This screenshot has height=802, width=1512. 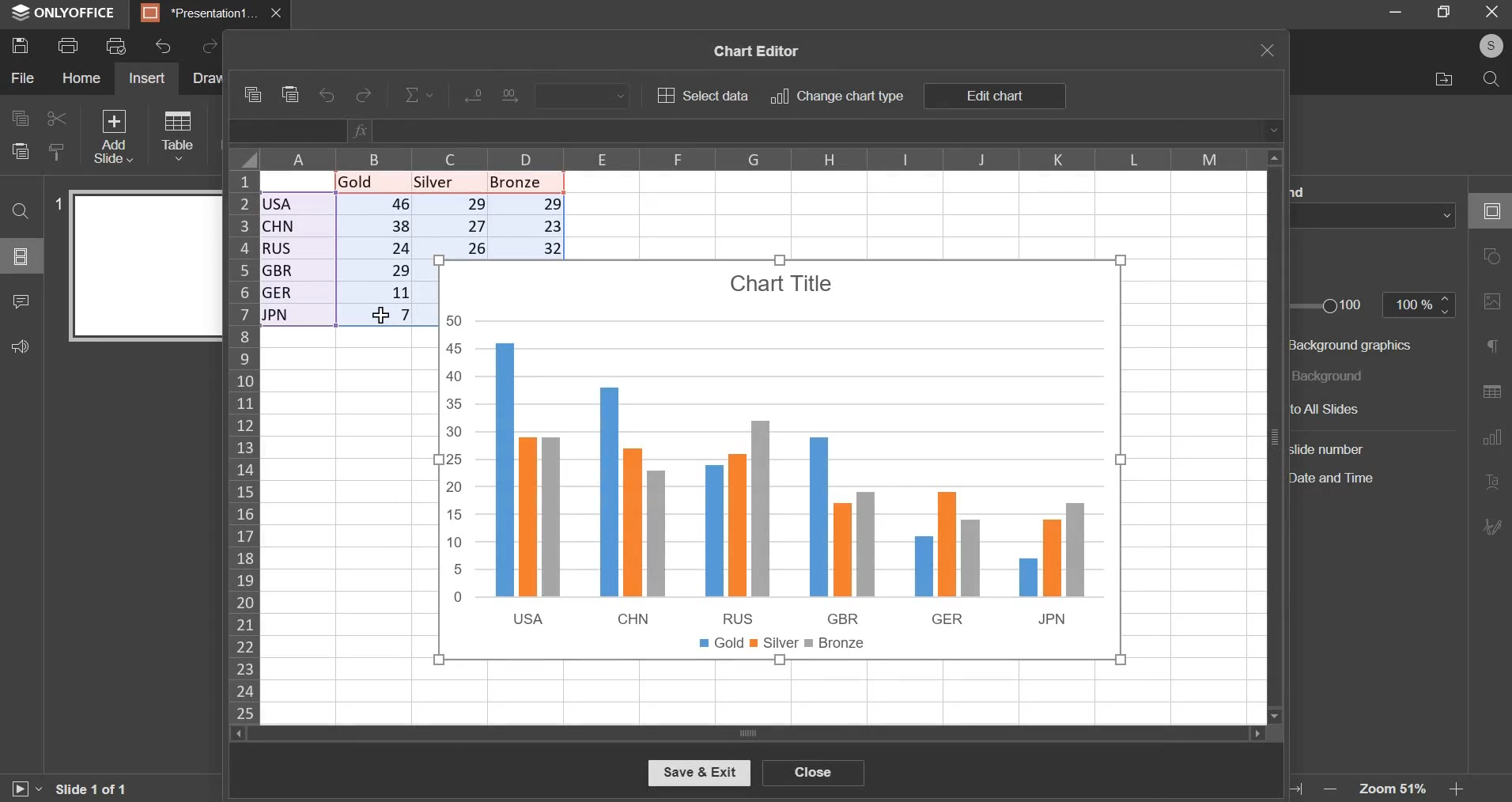 I want to click on signature, so click(x=1492, y=528).